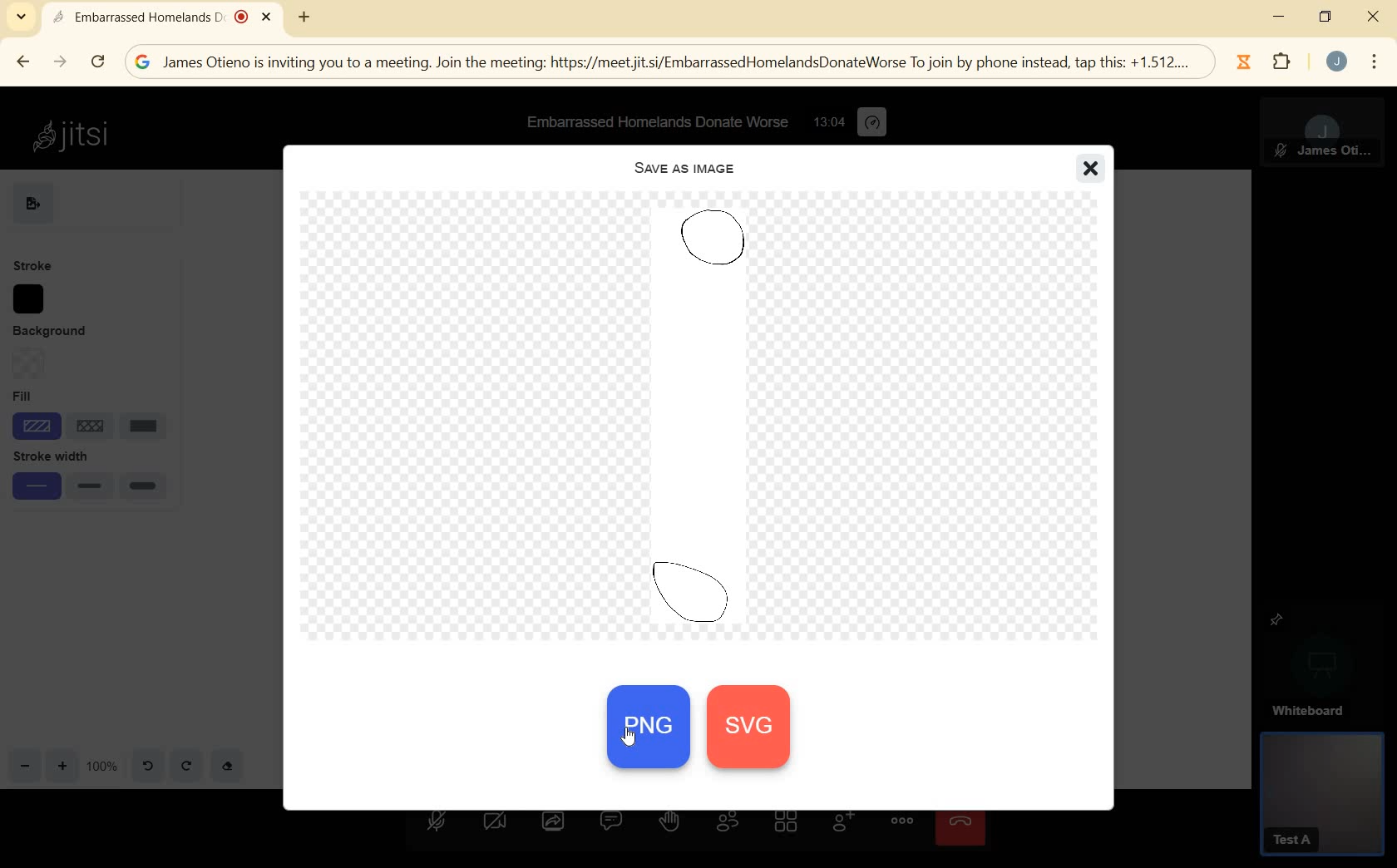  What do you see at coordinates (1374, 60) in the screenshot?
I see `menu` at bounding box center [1374, 60].